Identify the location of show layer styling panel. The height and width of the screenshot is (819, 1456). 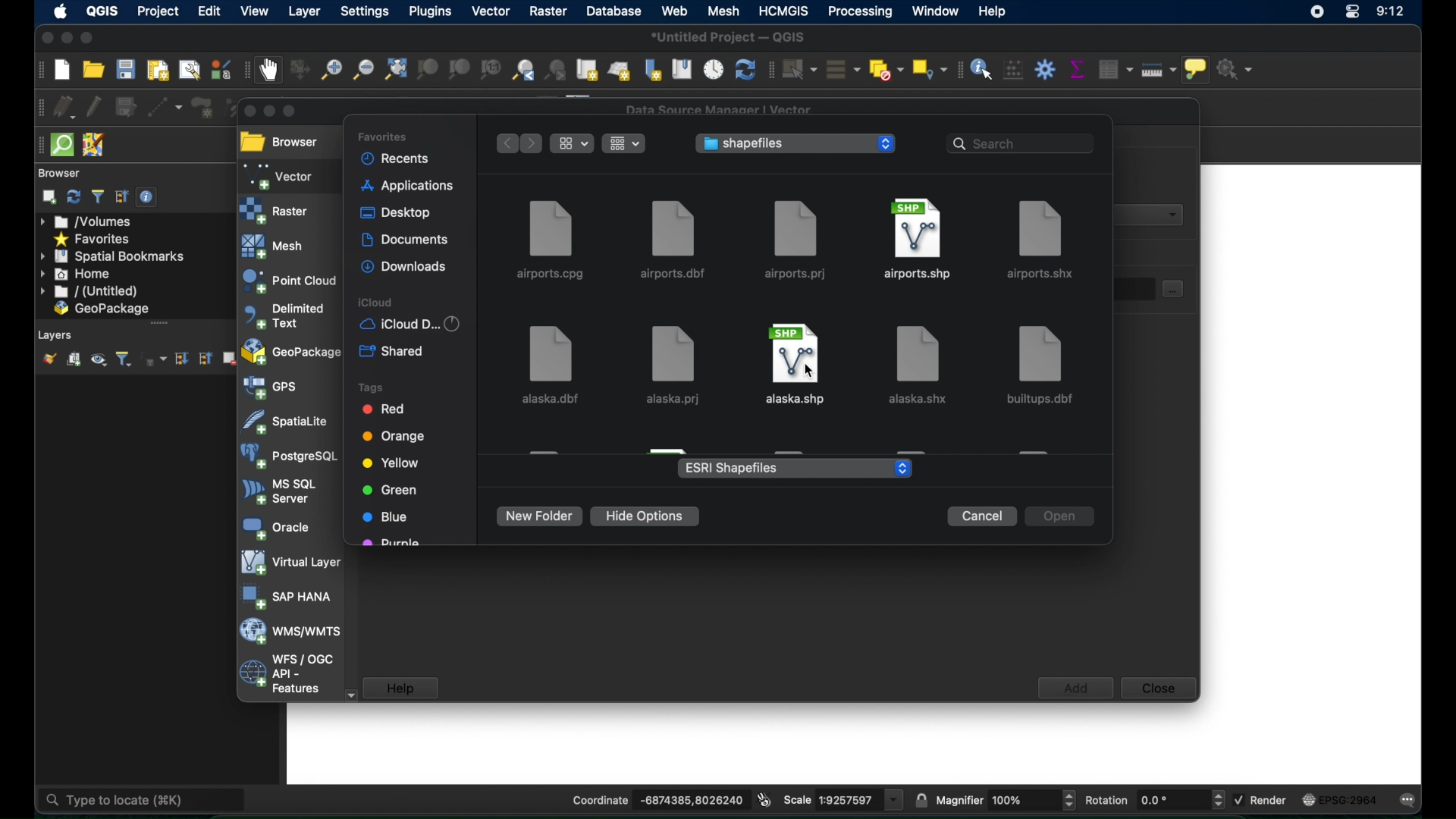
(49, 359).